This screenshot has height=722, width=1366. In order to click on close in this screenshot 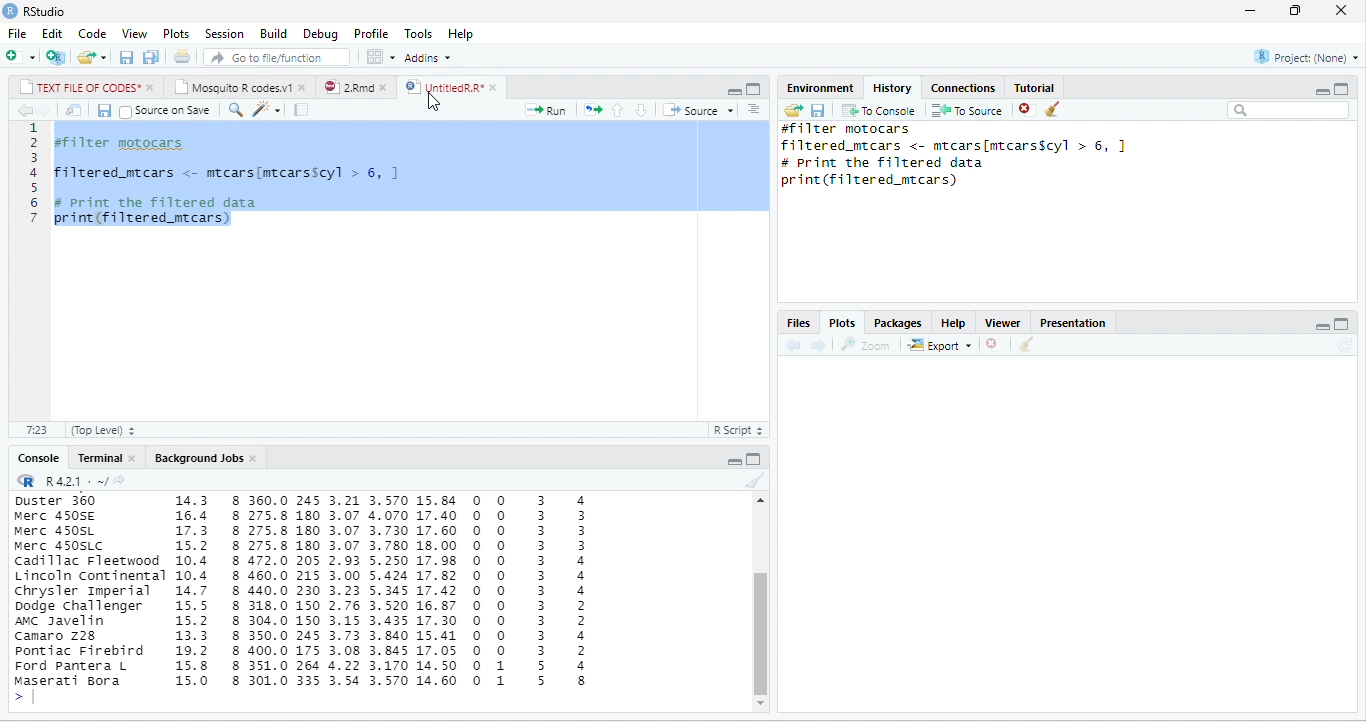, I will do `click(153, 87)`.